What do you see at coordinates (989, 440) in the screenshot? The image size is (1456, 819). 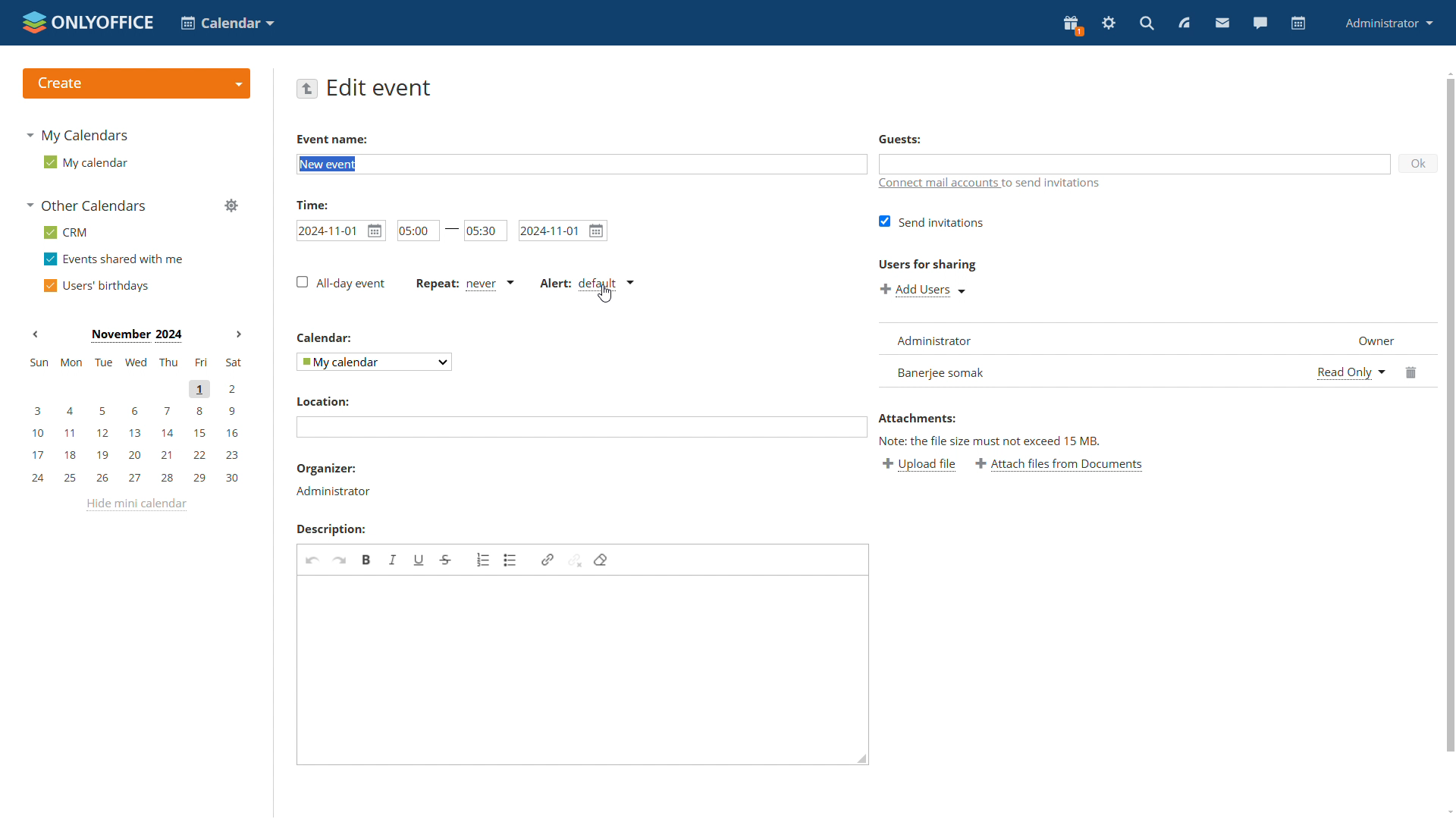 I see `note: the file size must not exceed fifteen mb` at bounding box center [989, 440].